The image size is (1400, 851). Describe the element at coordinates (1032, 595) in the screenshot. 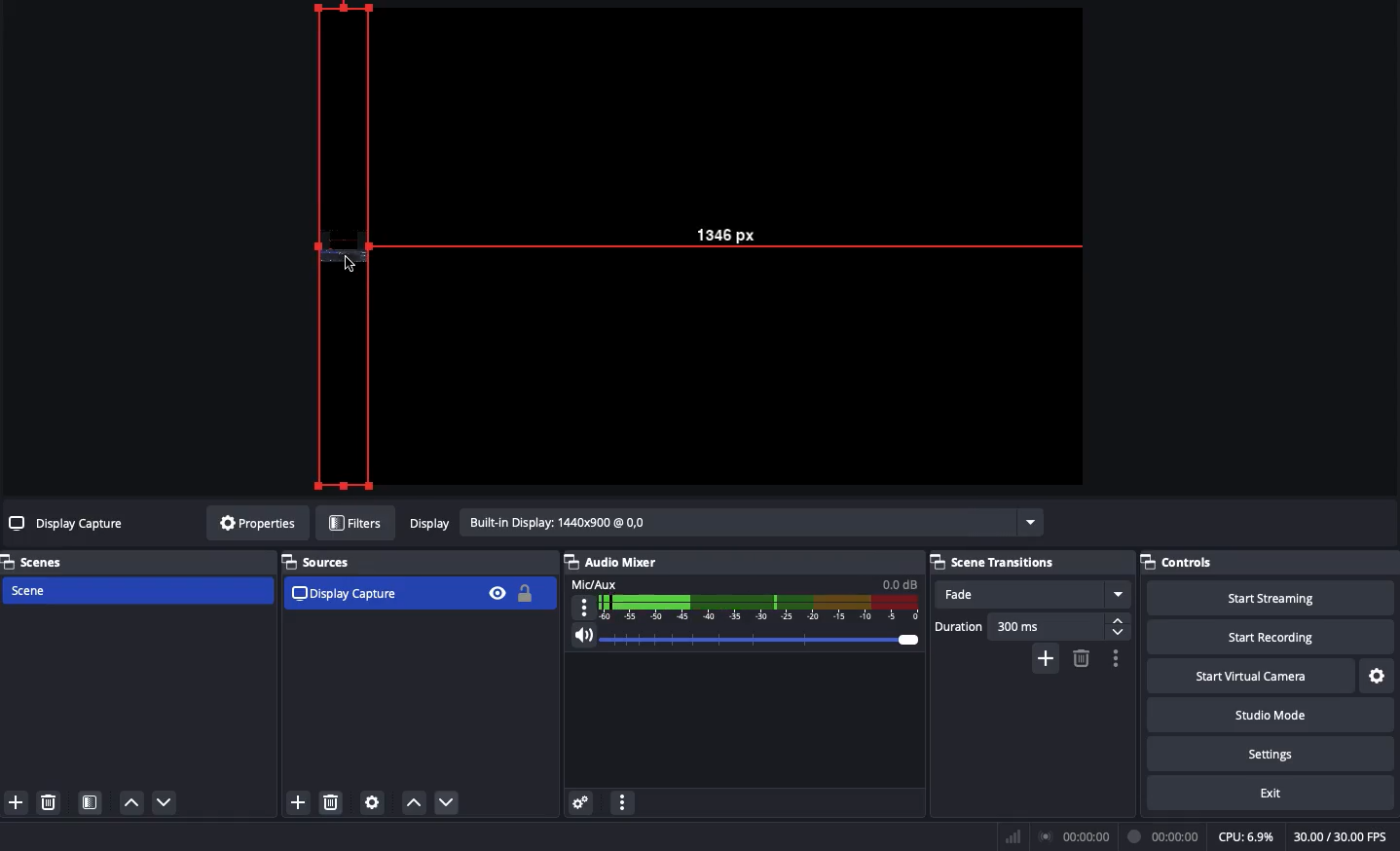

I see `Fade` at that location.